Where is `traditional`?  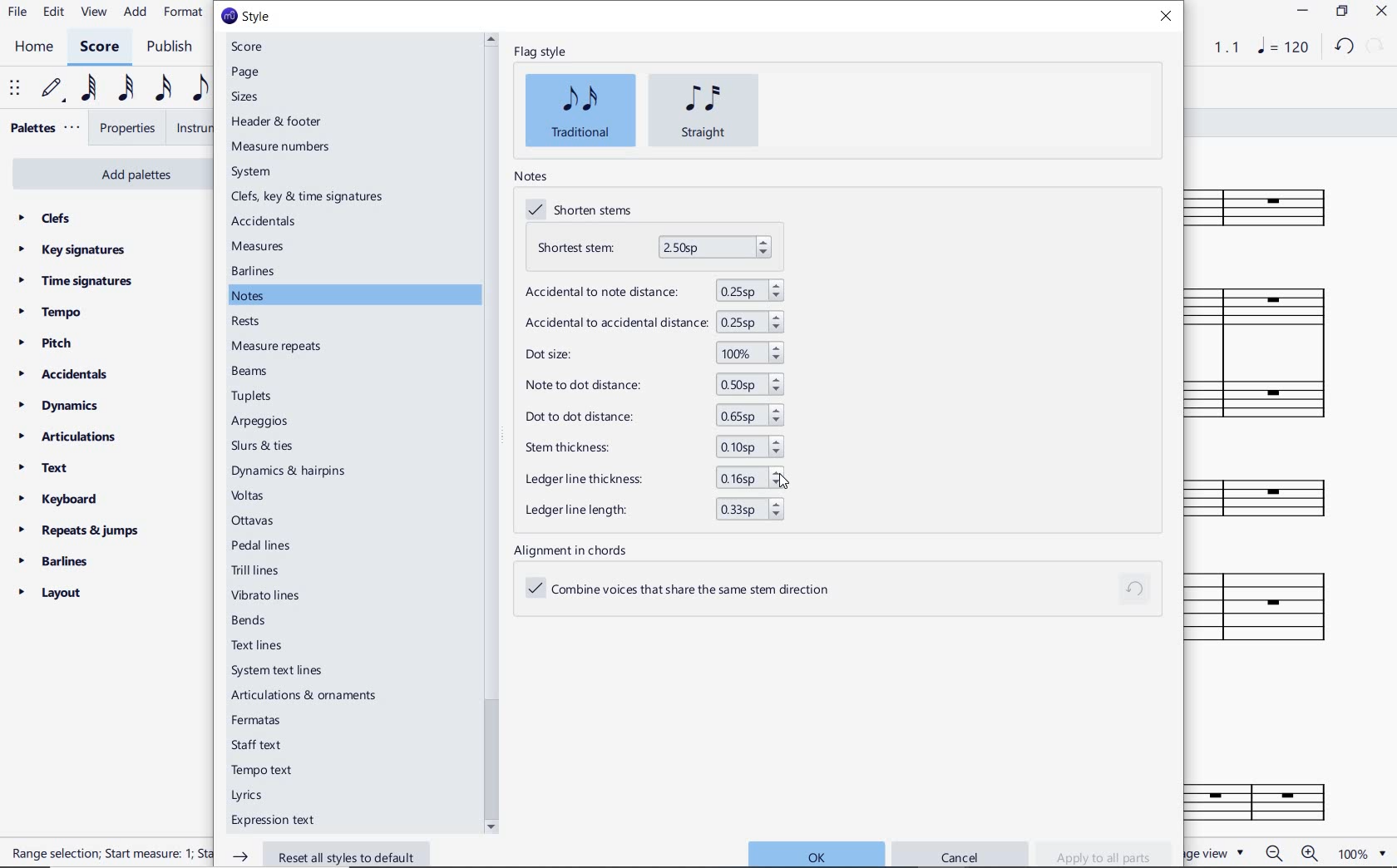 traditional is located at coordinates (580, 110).